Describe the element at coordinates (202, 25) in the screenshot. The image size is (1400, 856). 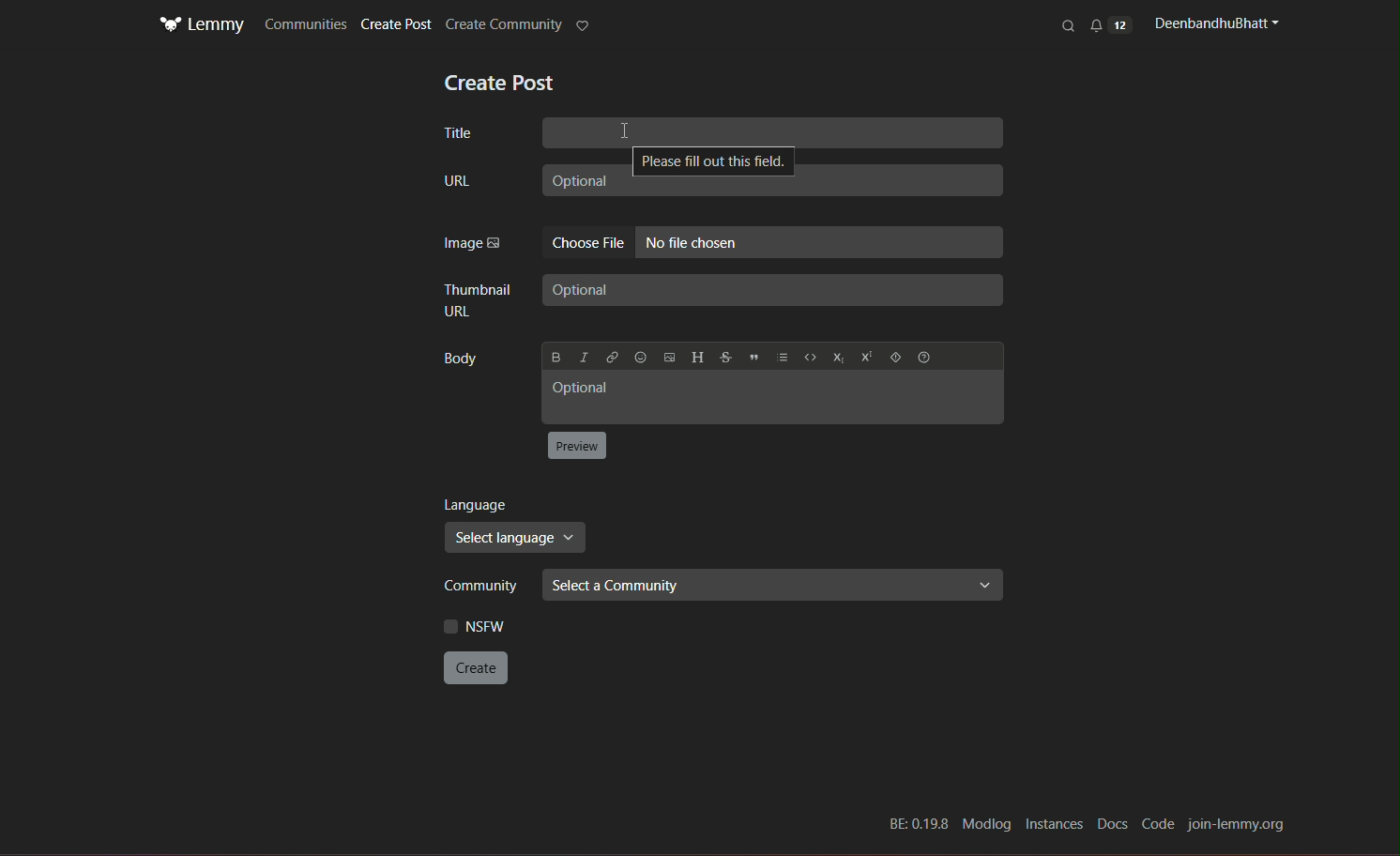
I see `Logo and title` at that location.